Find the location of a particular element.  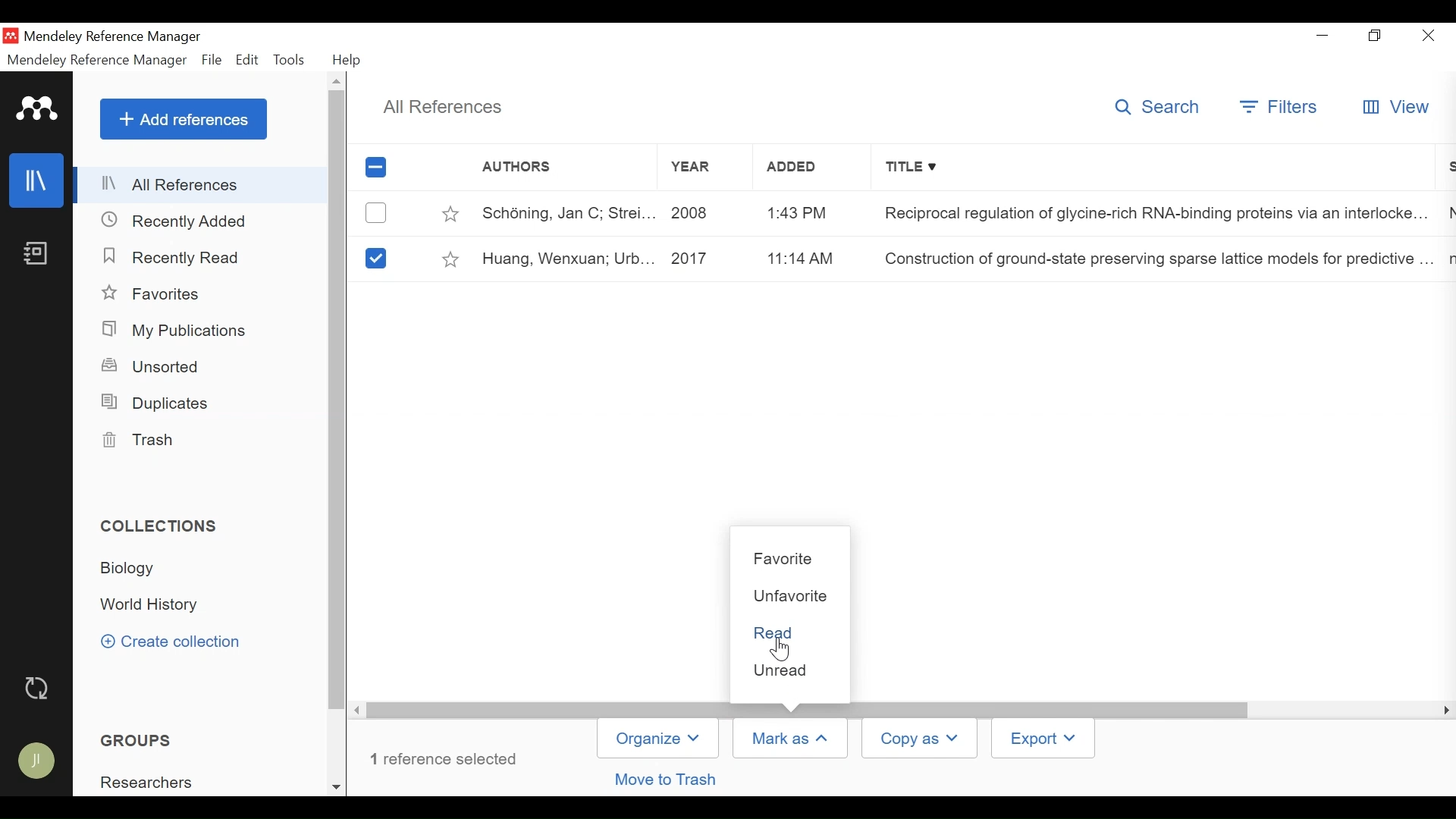

2008 is located at coordinates (695, 215).